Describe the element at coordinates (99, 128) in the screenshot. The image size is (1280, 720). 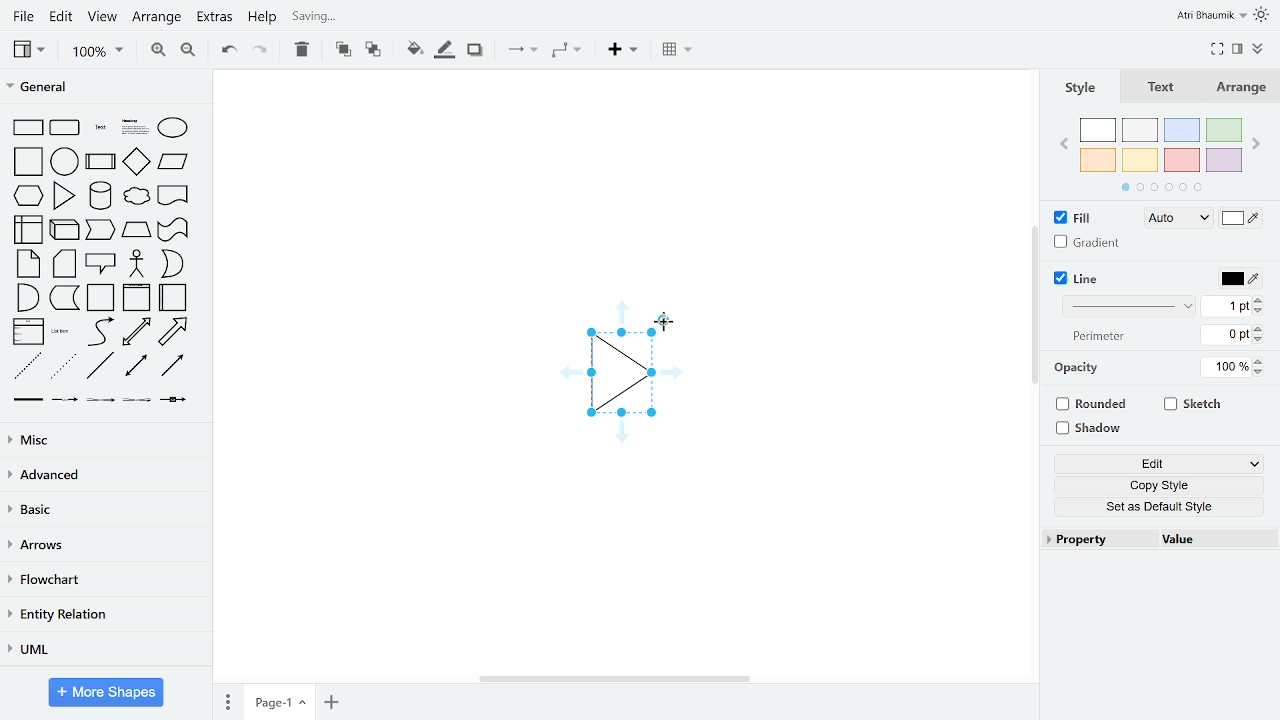
I see `text` at that location.